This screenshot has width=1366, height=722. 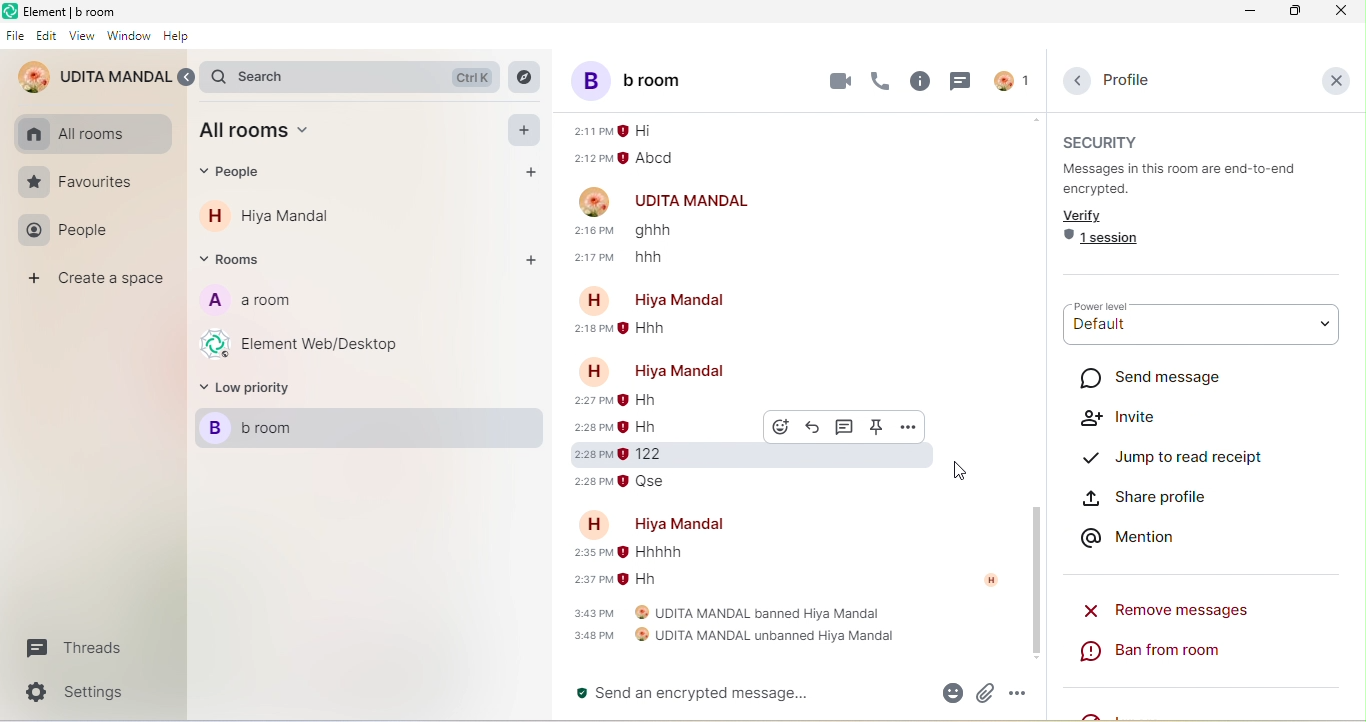 I want to click on create a space, so click(x=100, y=281).